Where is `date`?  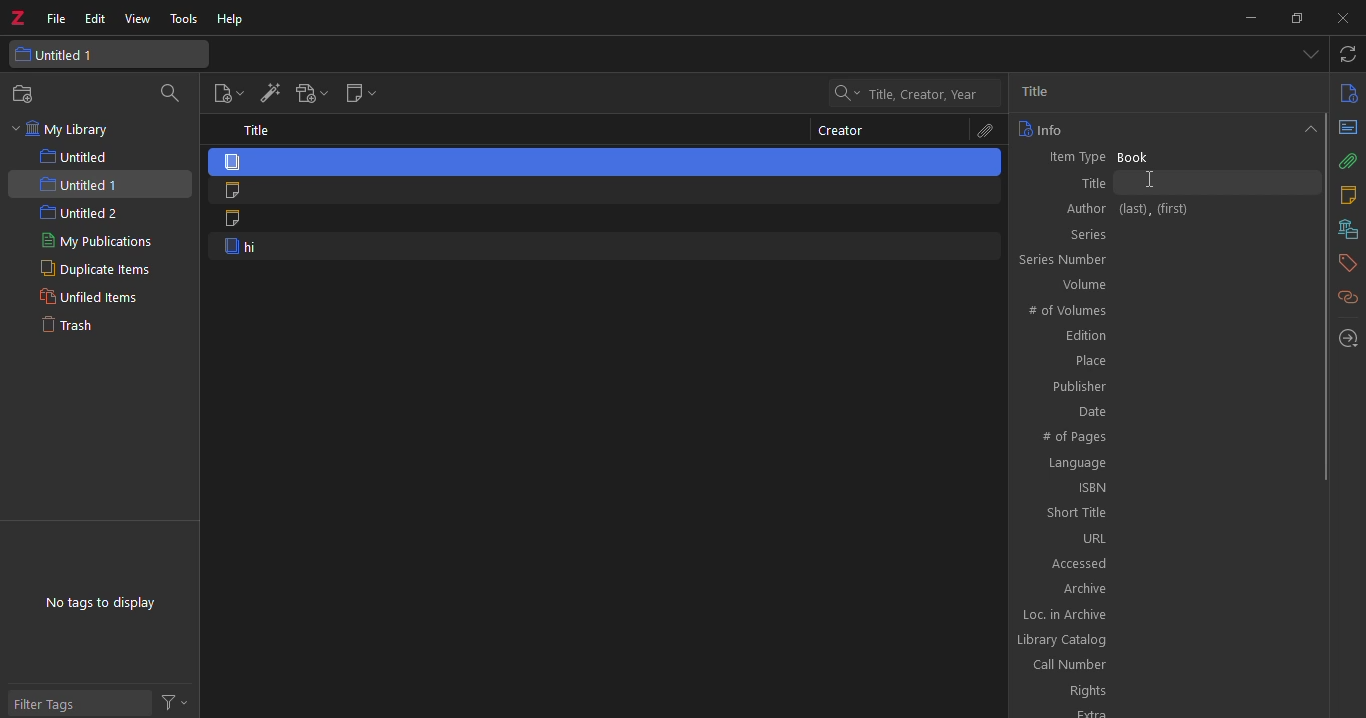
date is located at coordinates (1162, 410).